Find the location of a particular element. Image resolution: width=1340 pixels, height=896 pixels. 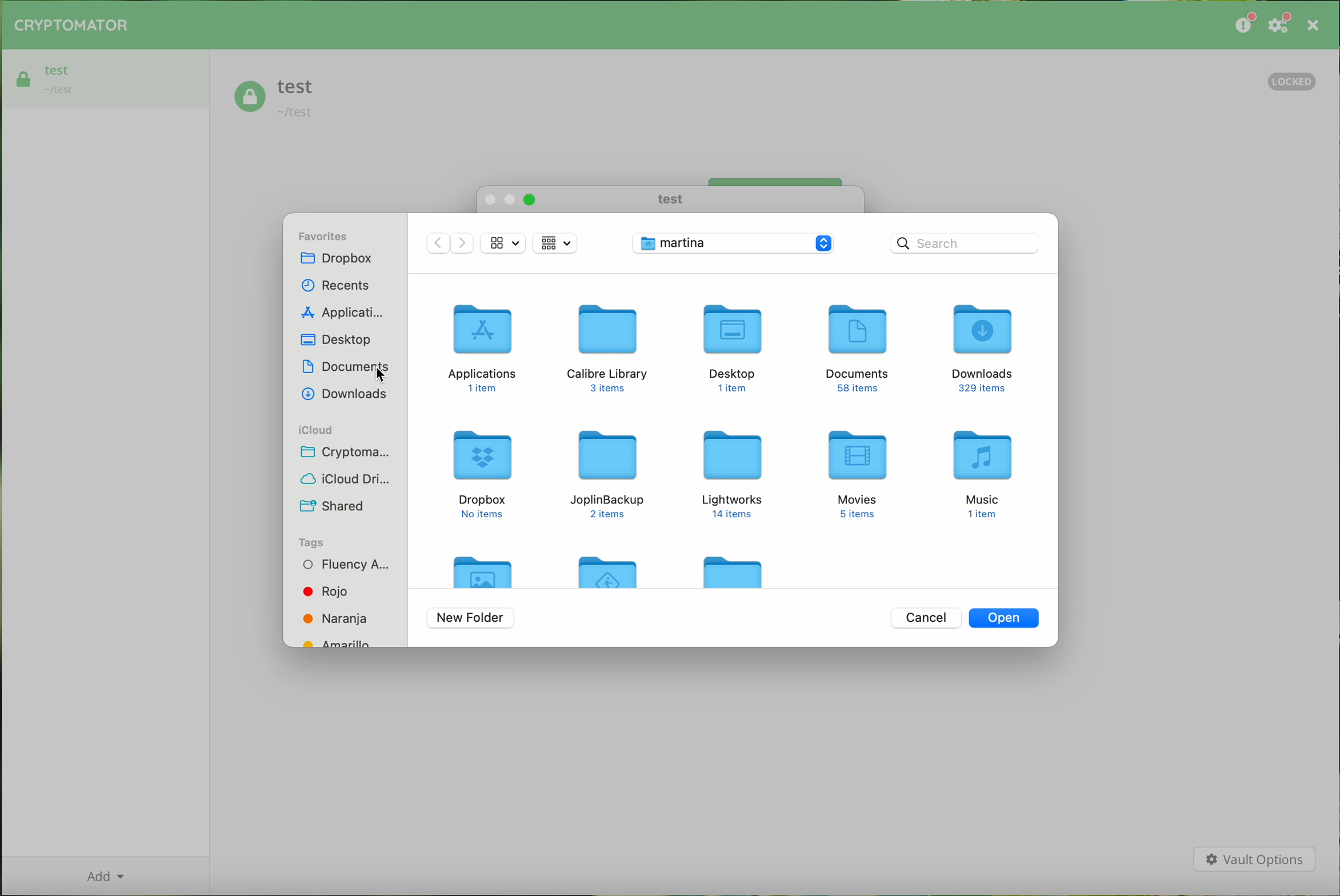

click on documents is located at coordinates (345, 369).